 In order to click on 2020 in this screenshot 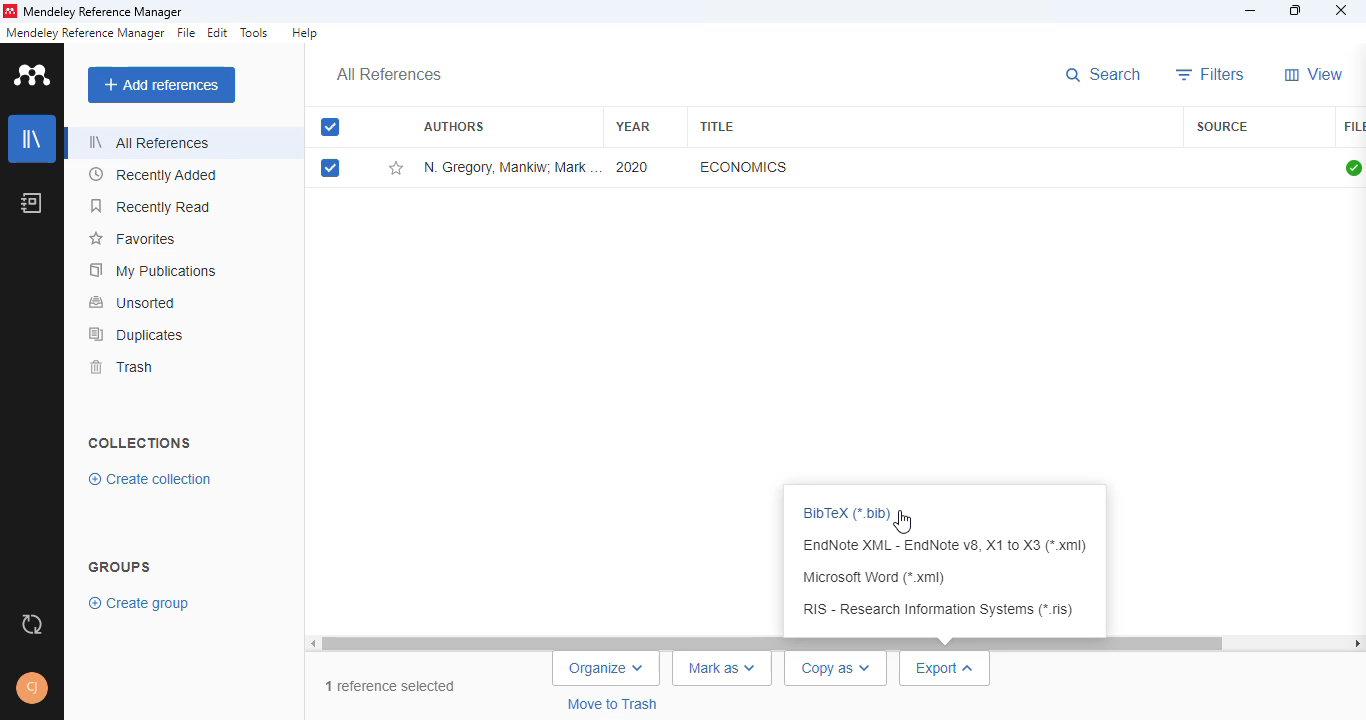, I will do `click(633, 167)`.